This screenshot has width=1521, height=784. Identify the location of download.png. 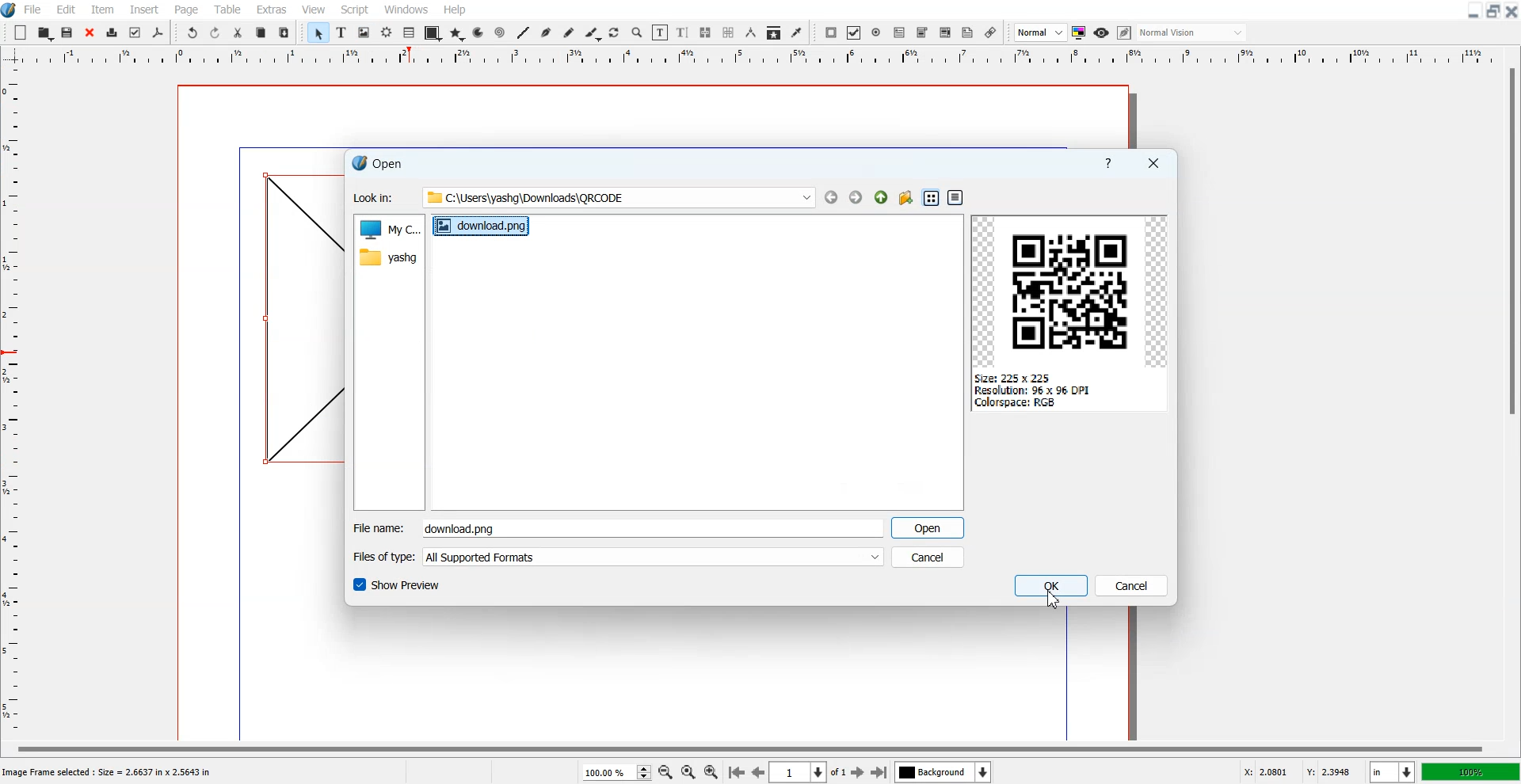
(480, 225).